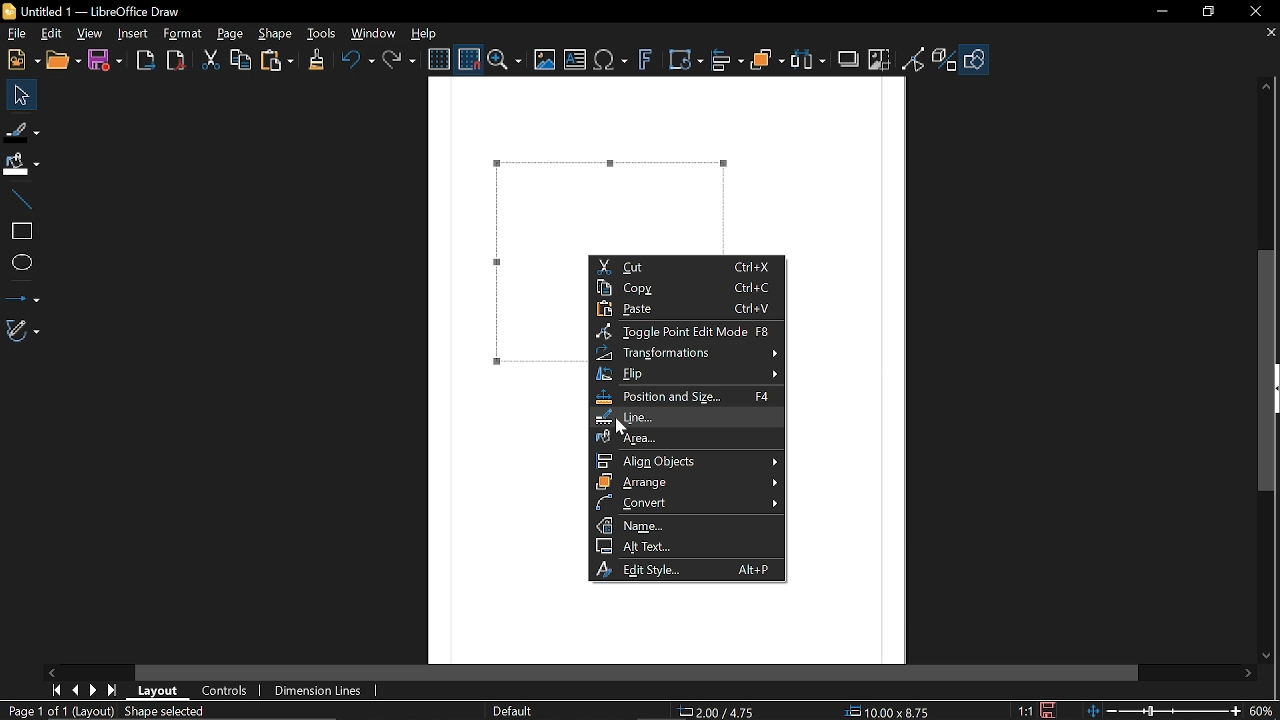  I want to click on Alt Text, so click(685, 546).